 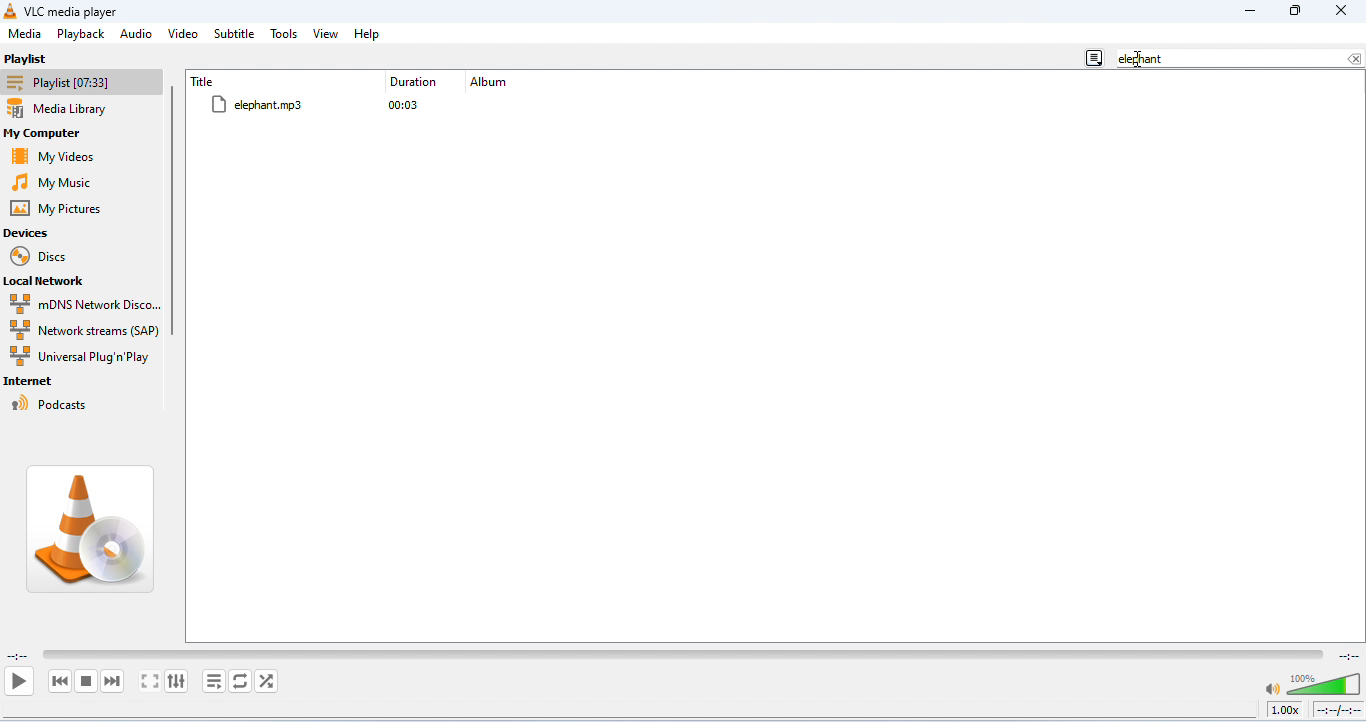 What do you see at coordinates (1340, 11) in the screenshot?
I see `close` at bounding box center [1340, 11].